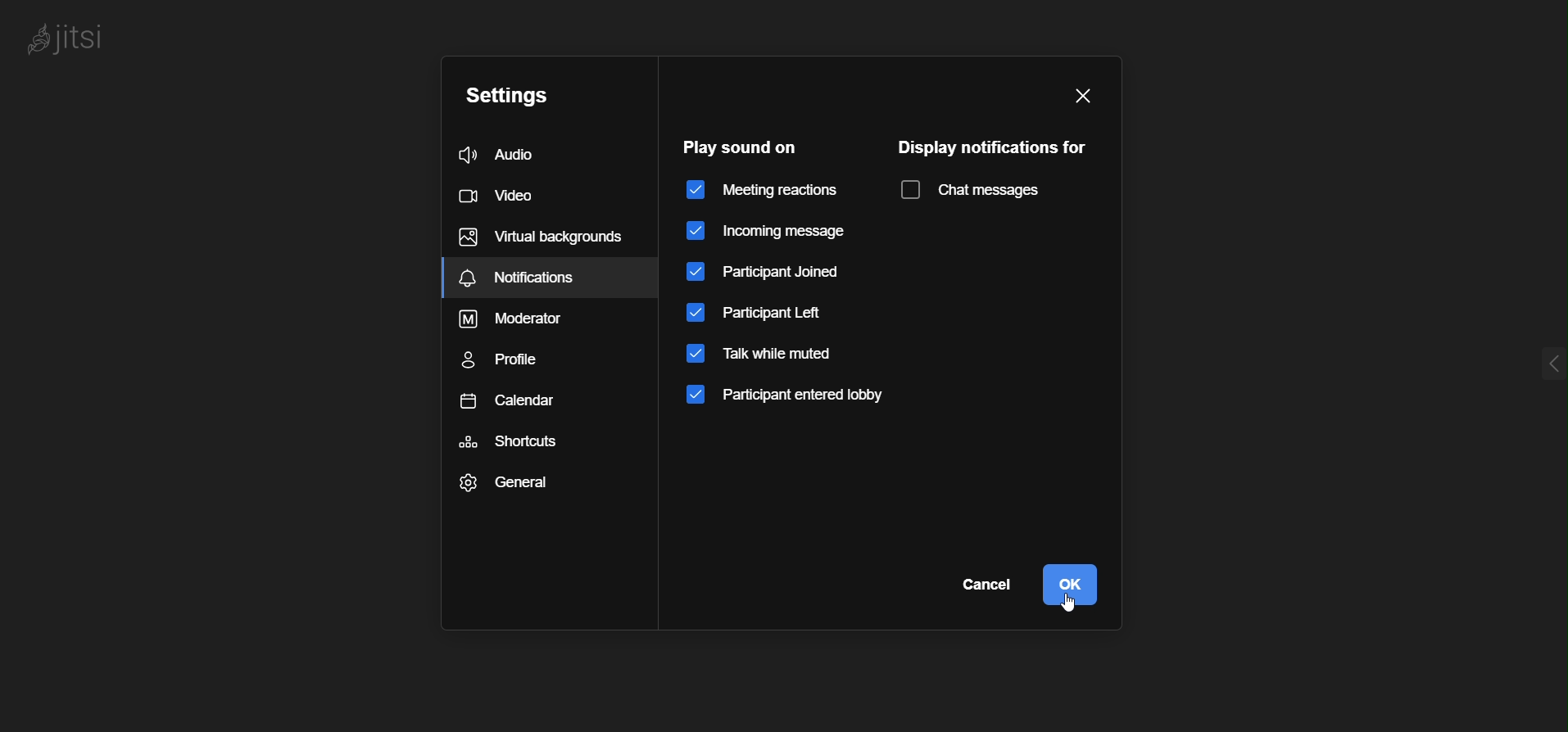 This screenshot has width=1568, height=732. I want to click on participant joined, so click(765, 273).